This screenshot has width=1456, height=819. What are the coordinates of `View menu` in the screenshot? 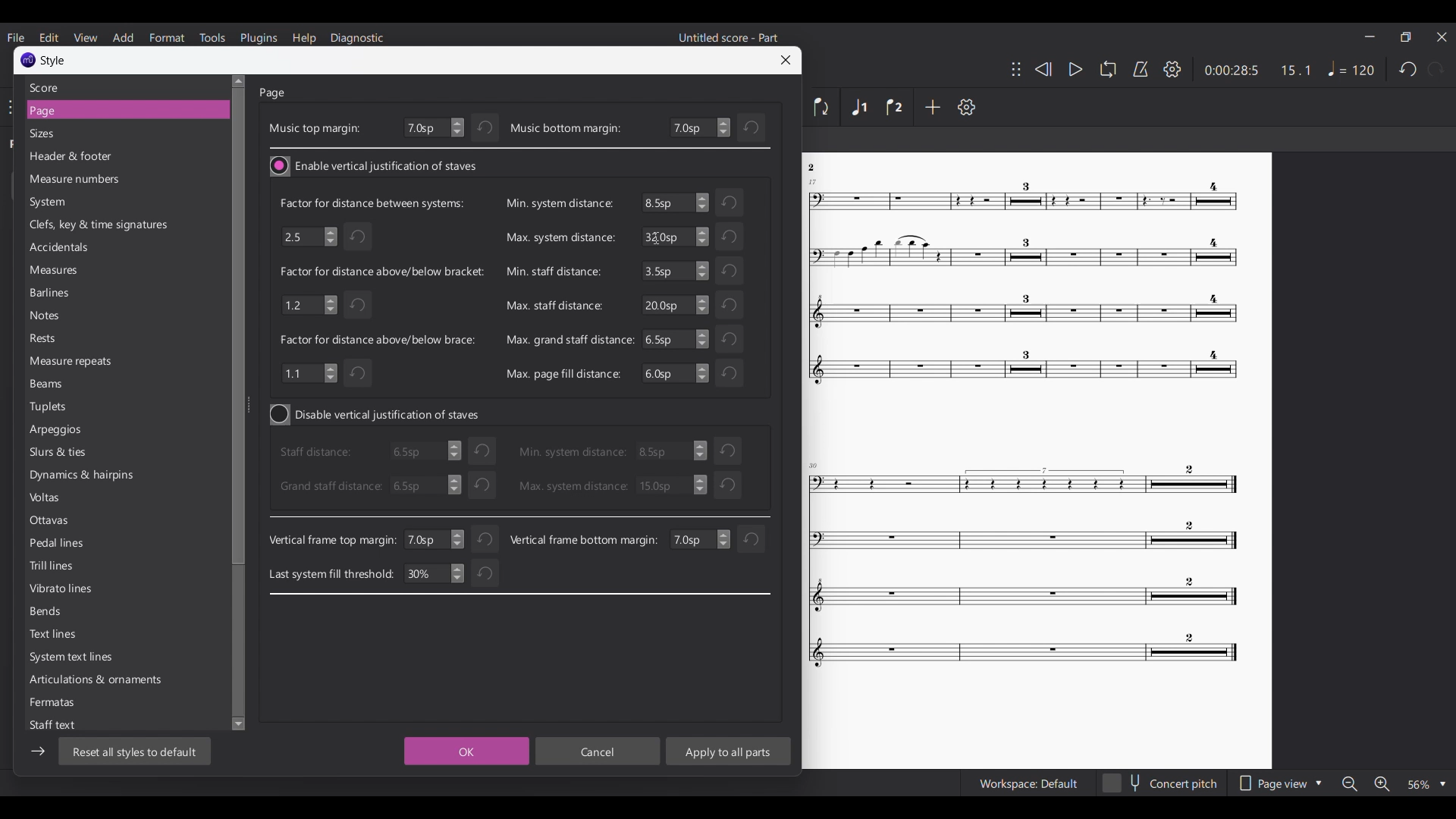 It's located at (85, 37).